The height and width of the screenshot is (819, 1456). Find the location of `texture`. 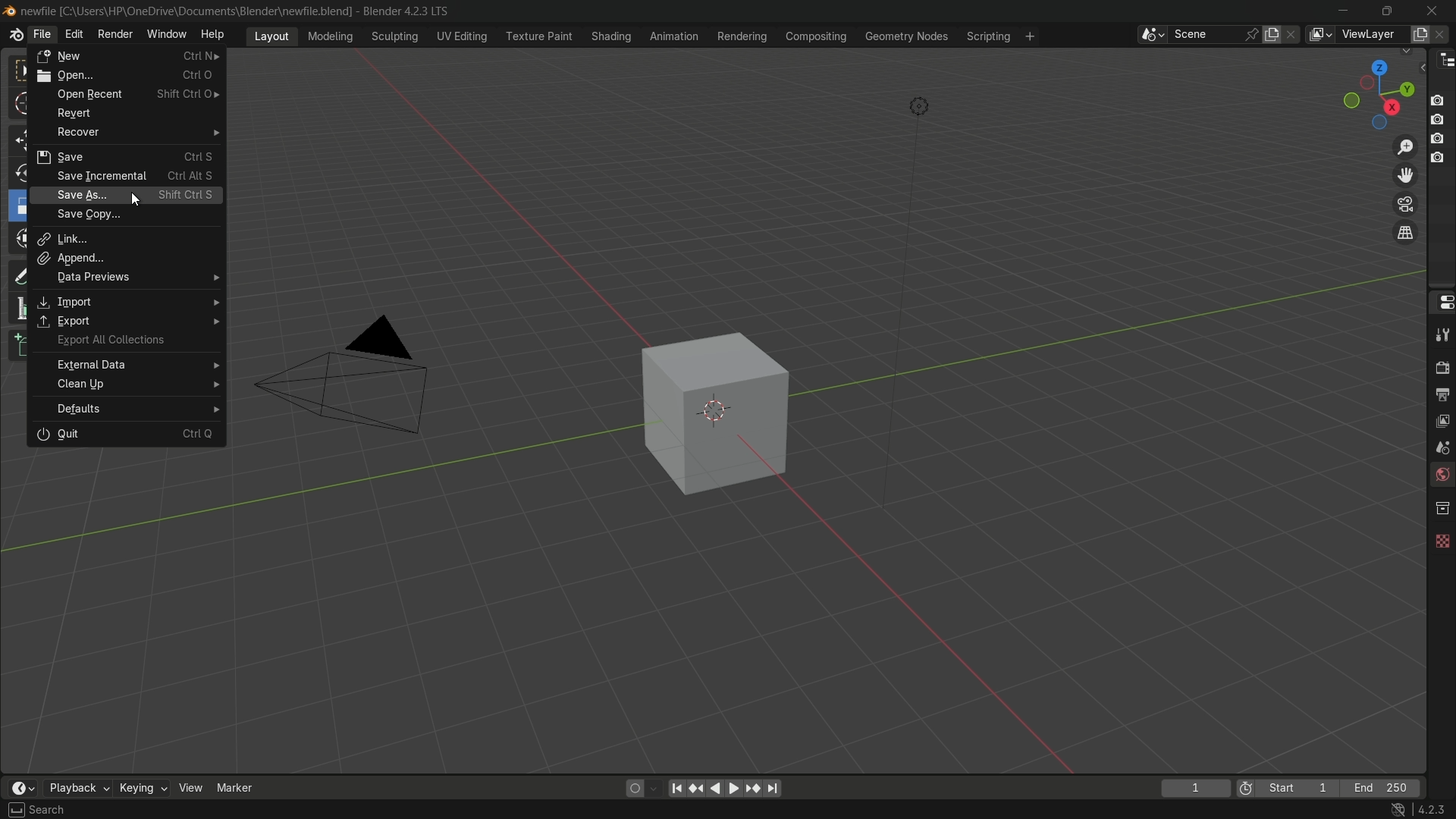

texture is located at coordinates (1441, 538).